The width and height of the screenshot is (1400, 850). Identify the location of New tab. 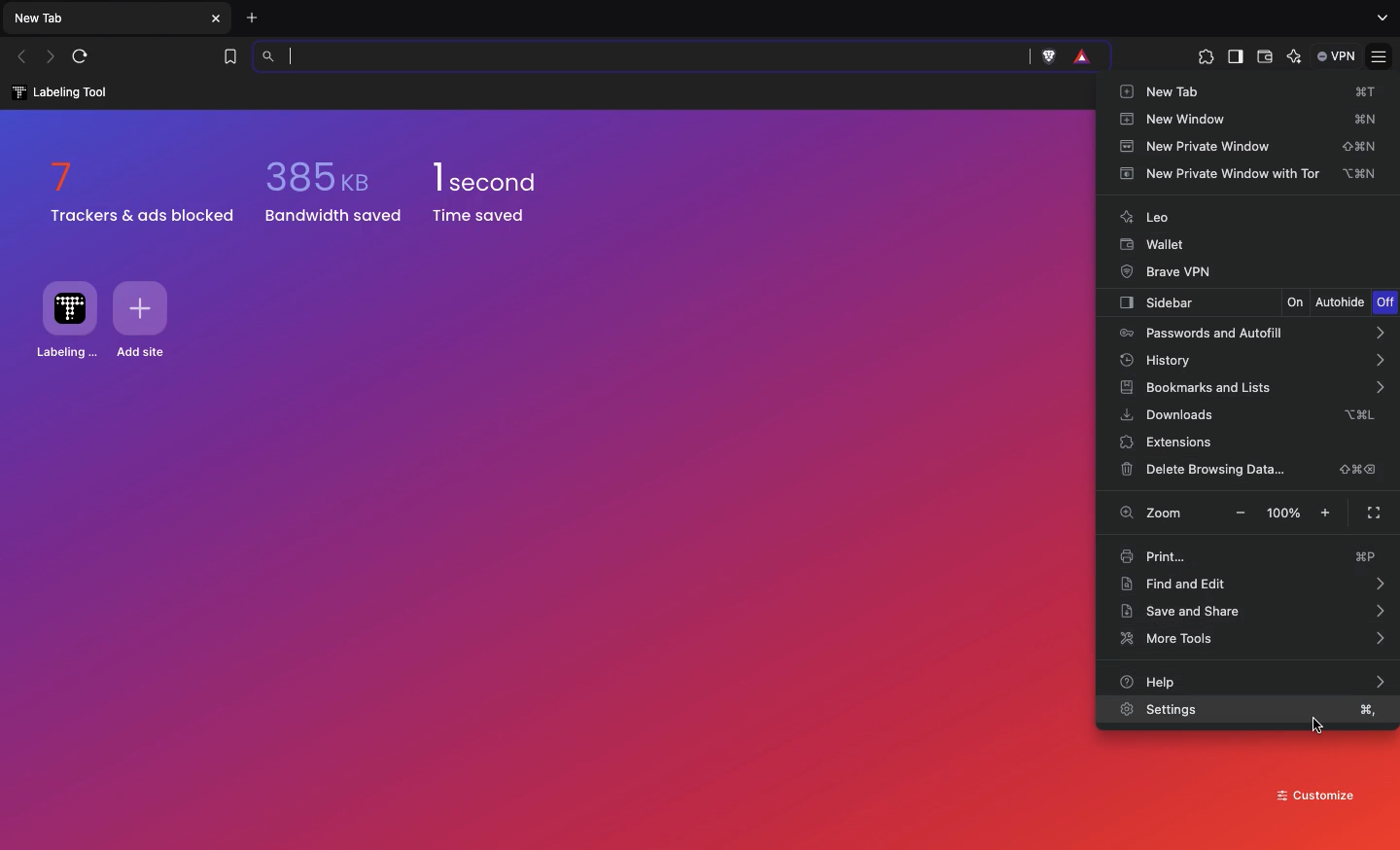
(46, 20).